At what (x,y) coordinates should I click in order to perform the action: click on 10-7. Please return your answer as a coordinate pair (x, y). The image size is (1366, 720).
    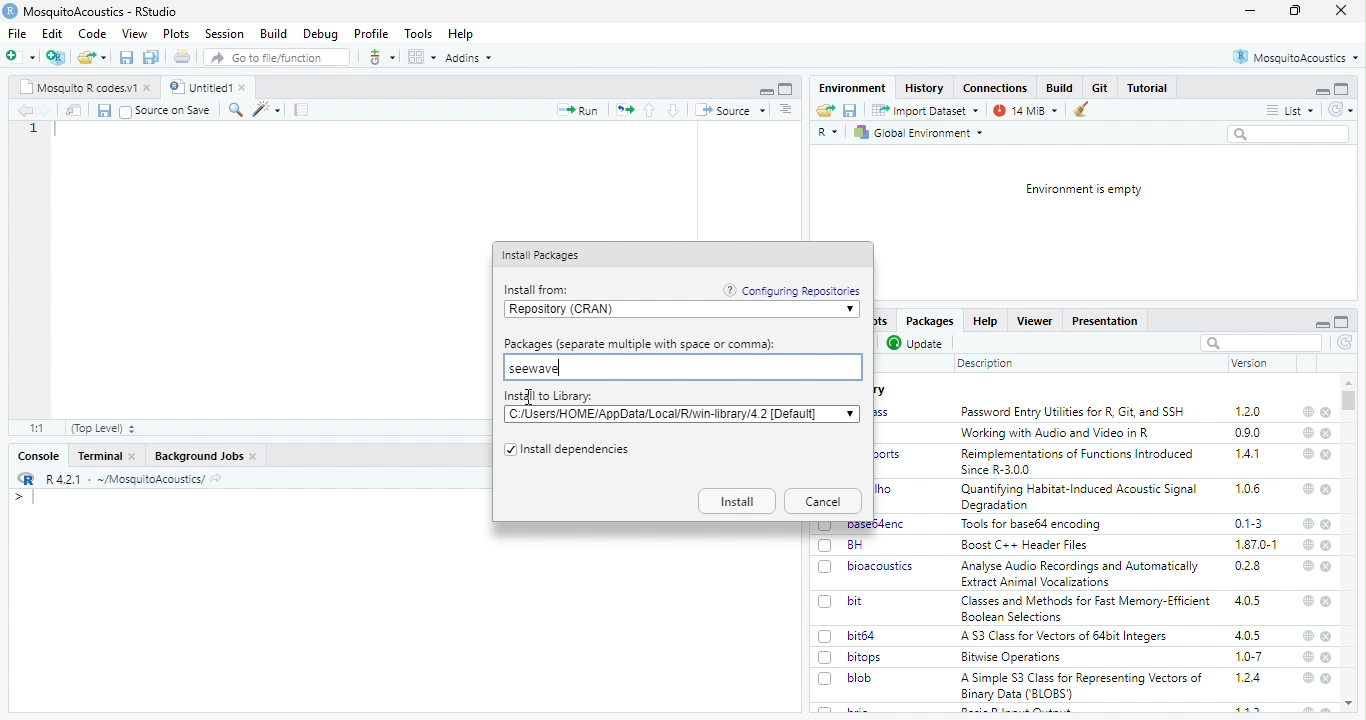
    Looking at the image, I should click on (1250, 657).